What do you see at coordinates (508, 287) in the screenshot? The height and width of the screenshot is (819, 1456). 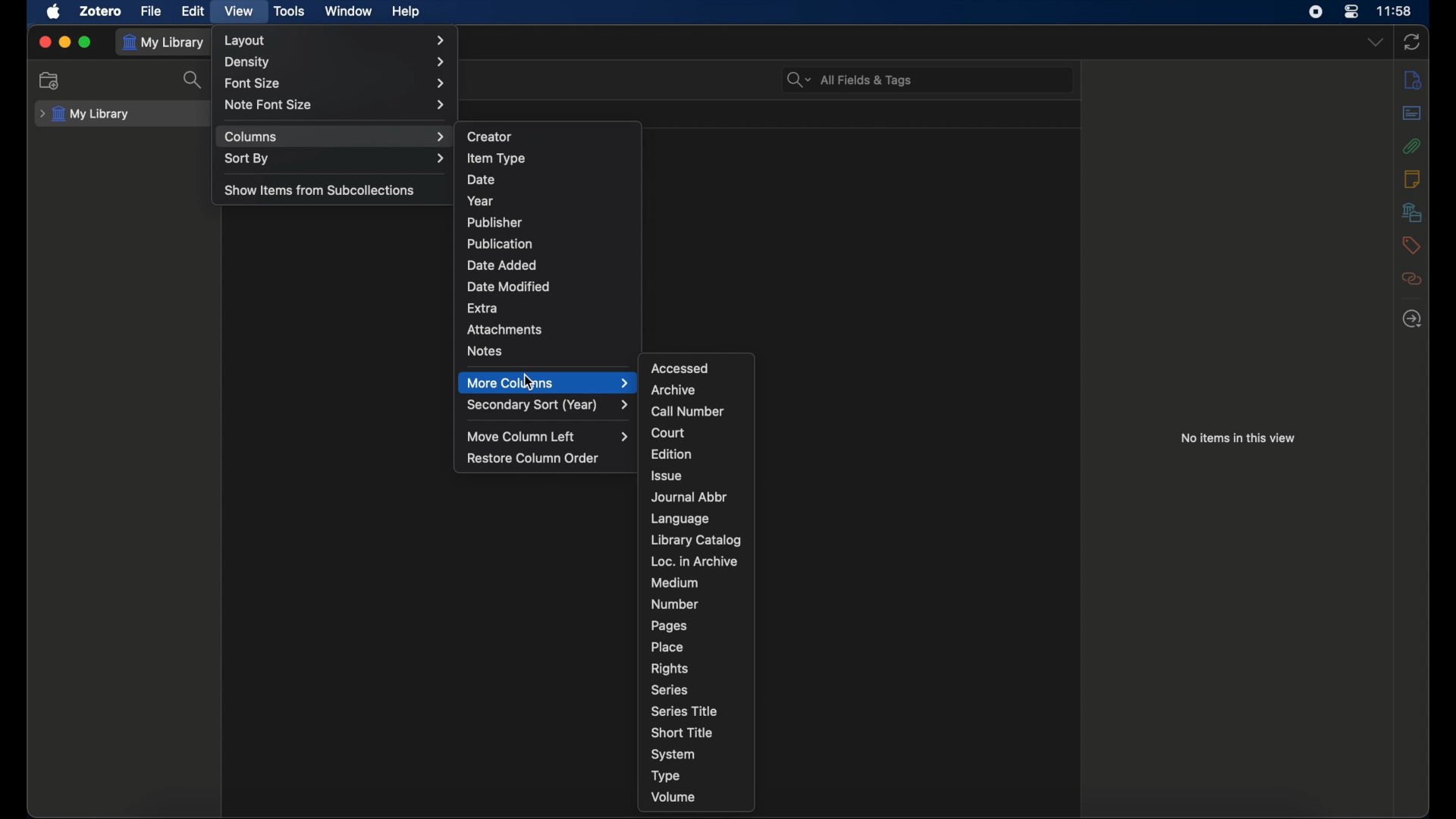 I see `date modified` at bounding box center [508, 287].